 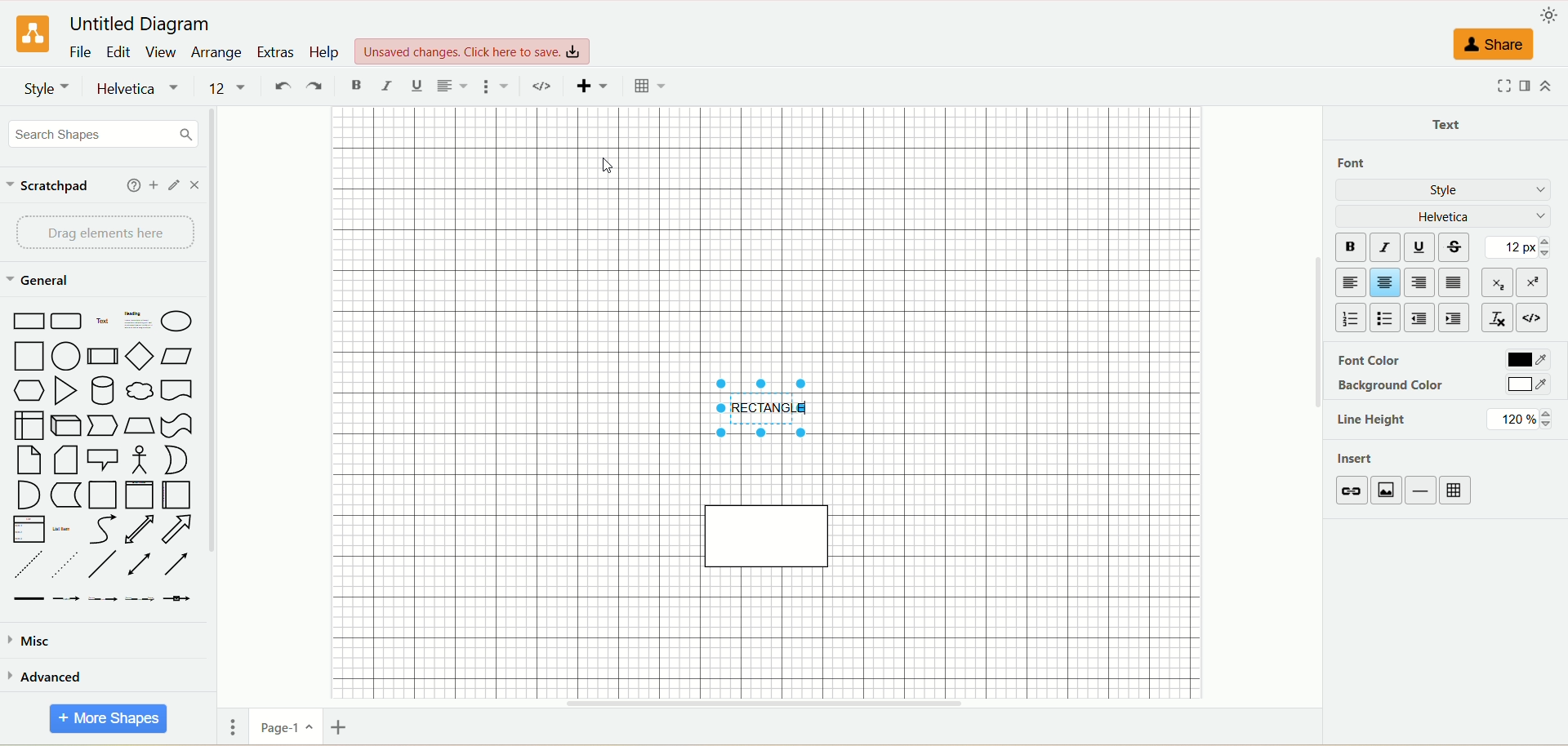 What do you see at coordinates (356, 85) in the screenshot?
I see `text bold` at bounding box center [356, 85].